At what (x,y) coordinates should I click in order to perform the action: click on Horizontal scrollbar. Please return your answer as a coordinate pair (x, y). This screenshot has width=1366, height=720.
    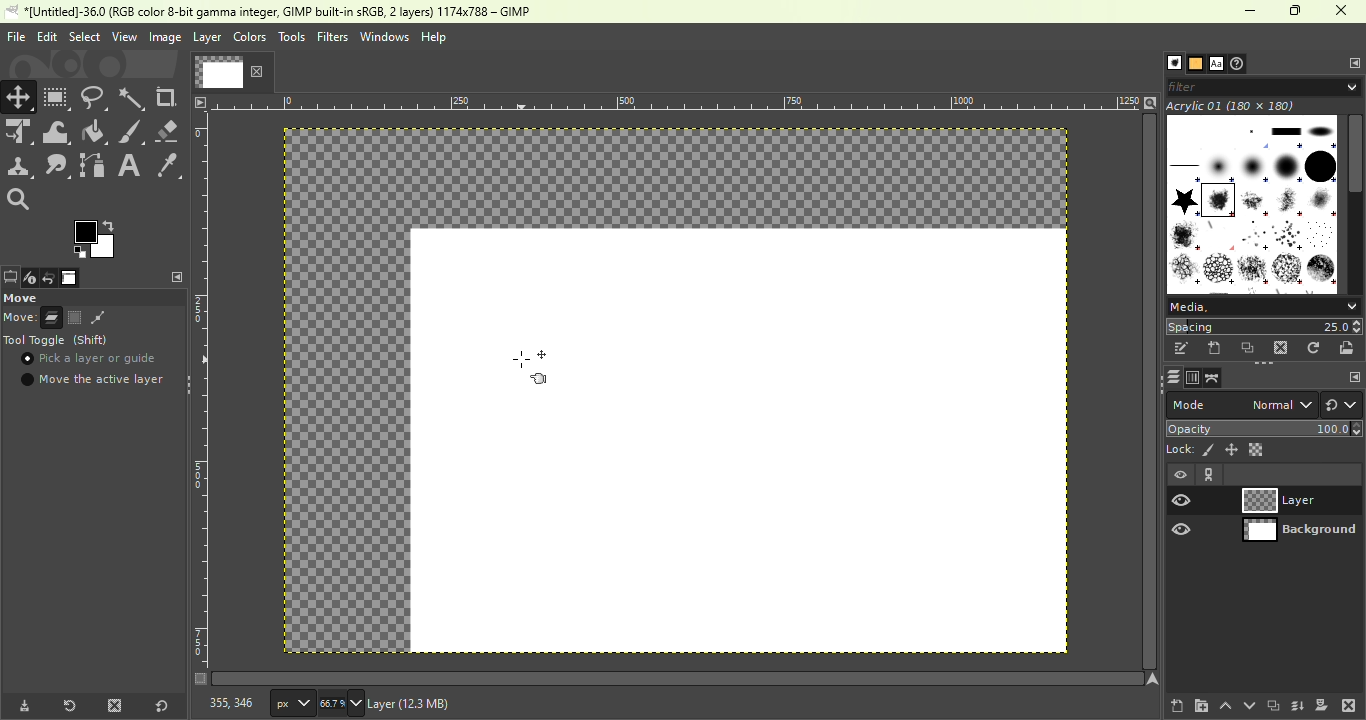
    Looking at the image, I should click on (1150, 392).